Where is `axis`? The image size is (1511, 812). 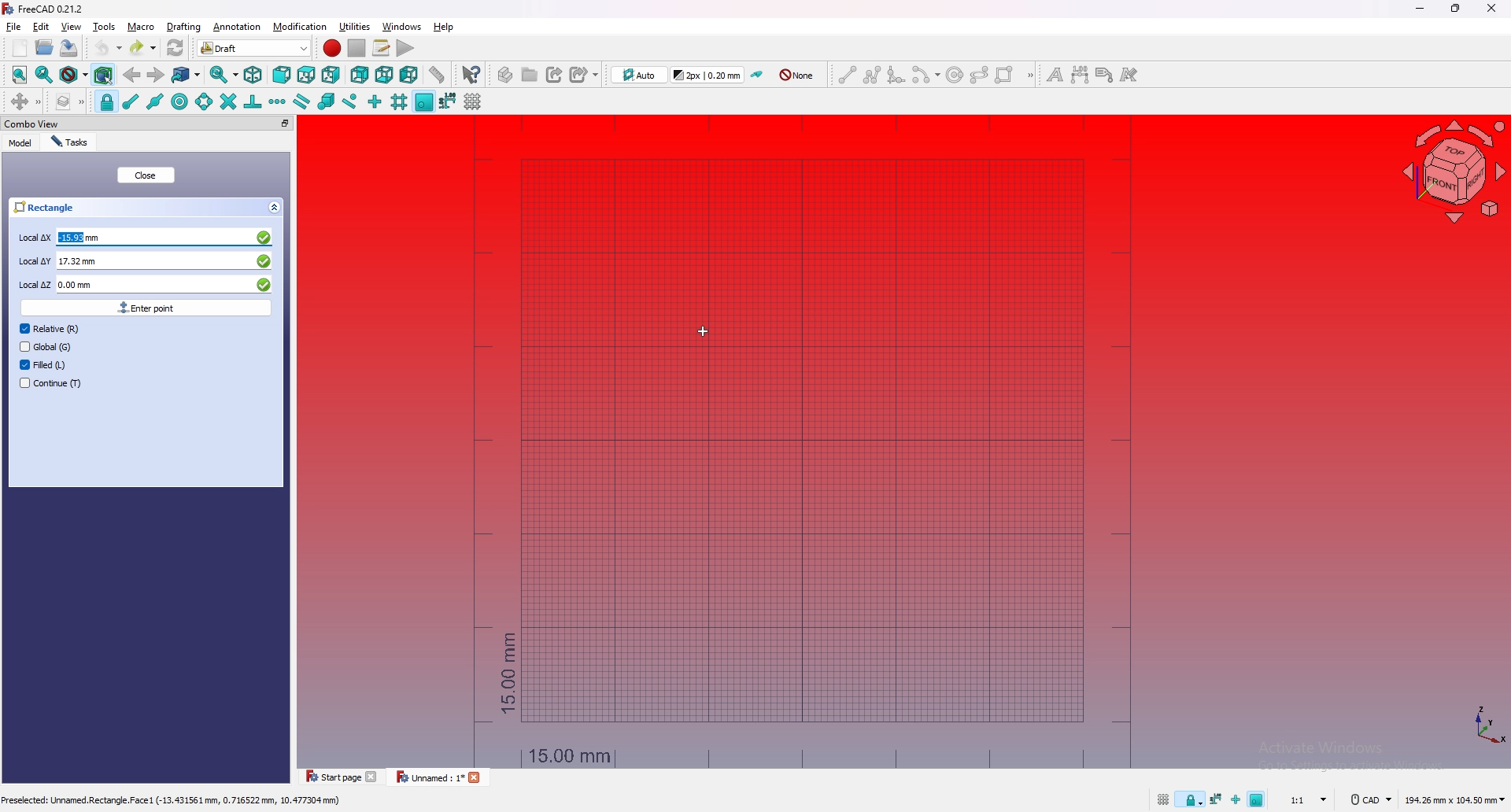 axis is located at coordinates (1486, 724).